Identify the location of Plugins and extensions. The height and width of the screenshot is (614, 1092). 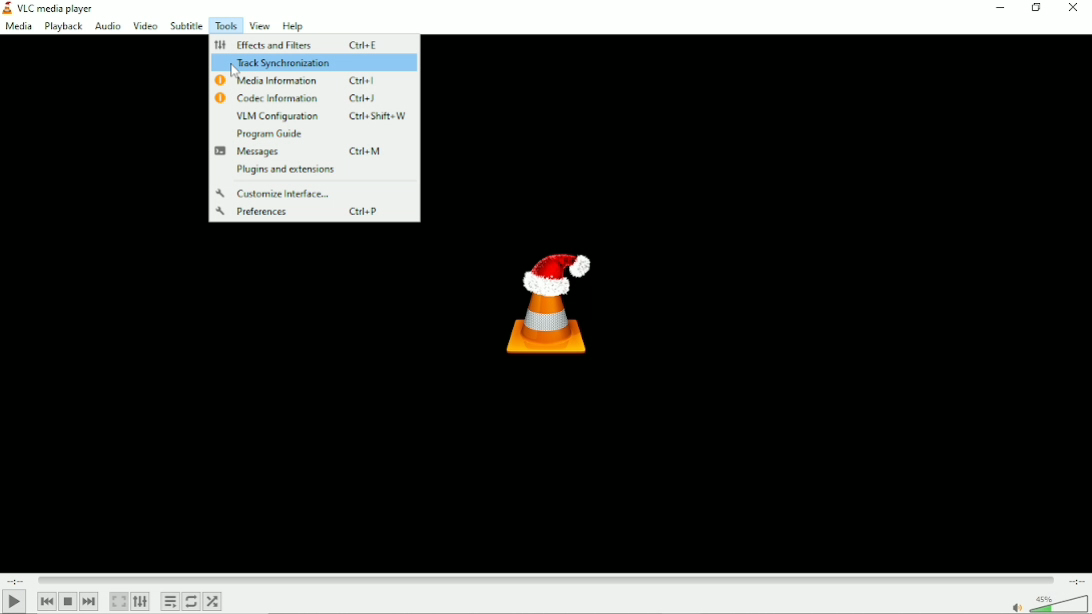
(285, 170).